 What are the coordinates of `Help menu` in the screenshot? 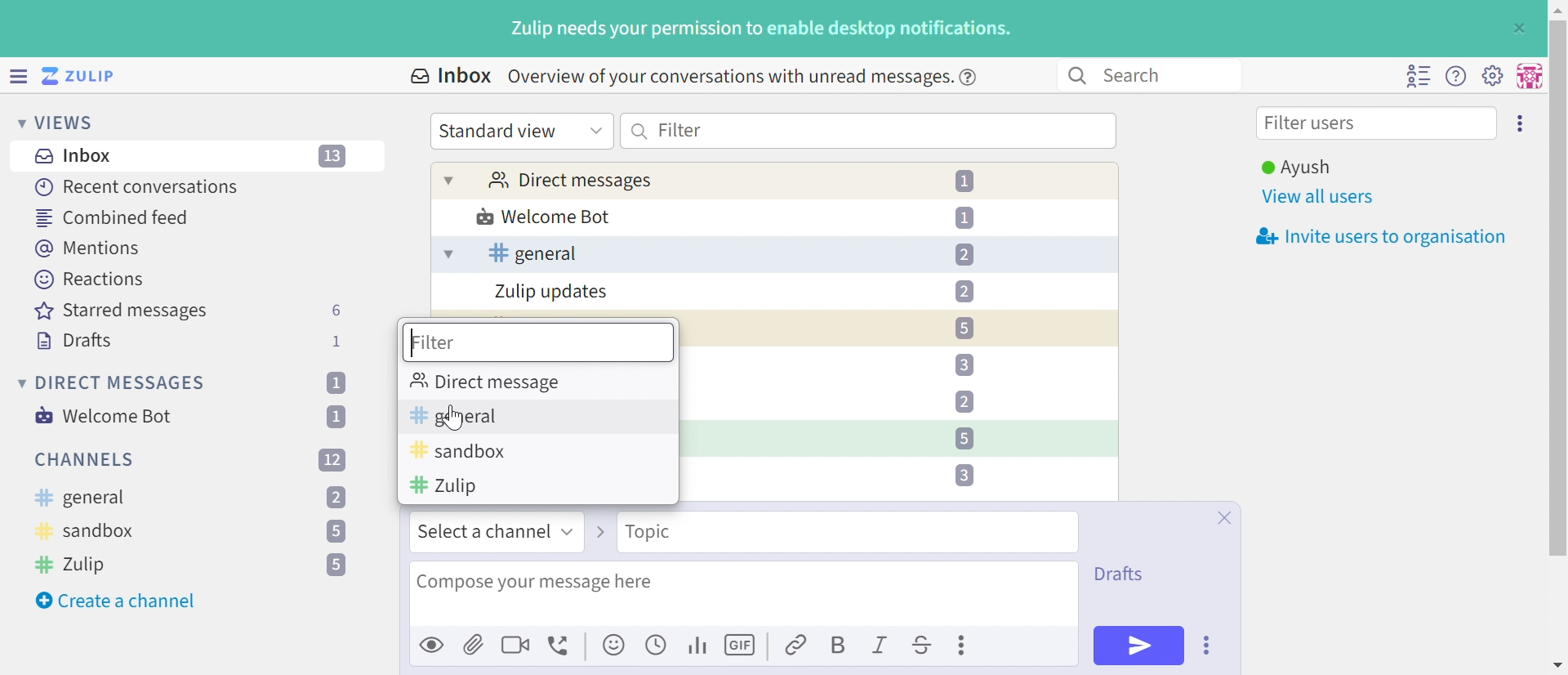 It's located at (1456, 77).